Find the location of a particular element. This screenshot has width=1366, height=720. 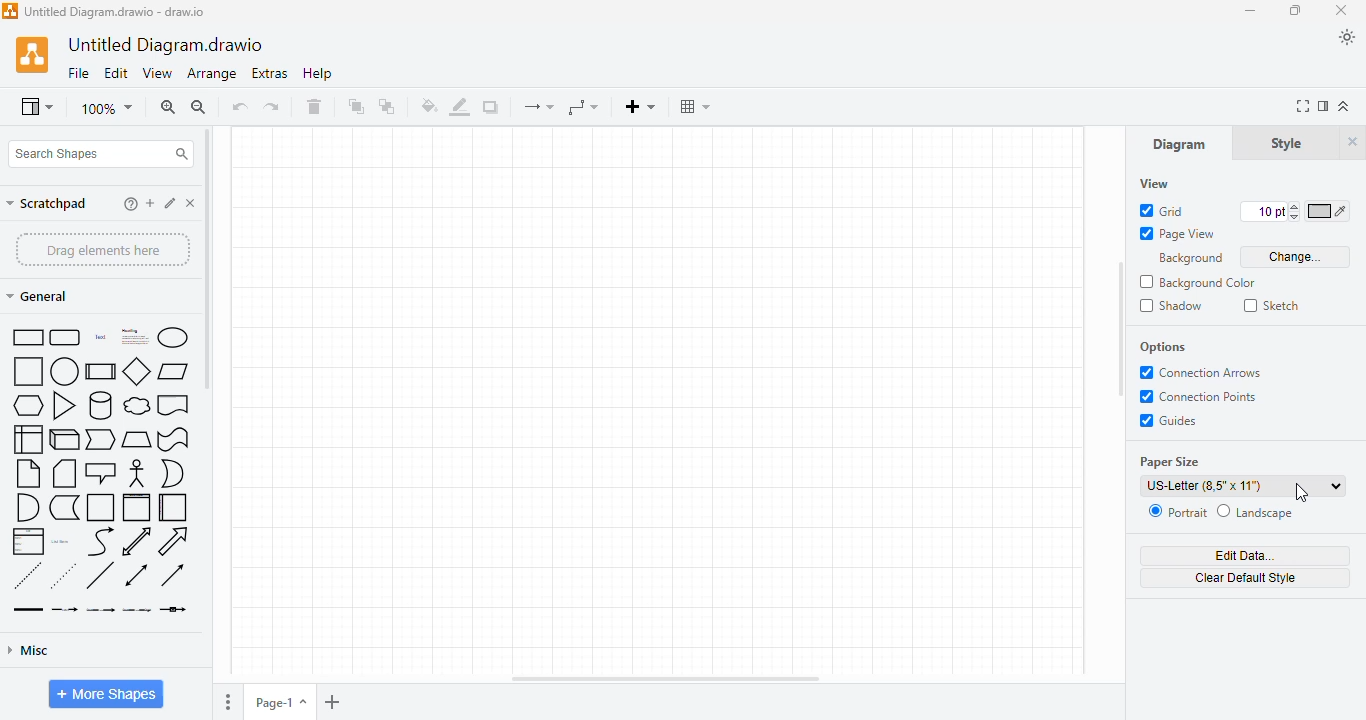

waypoints is located at coordinates (582, 107).